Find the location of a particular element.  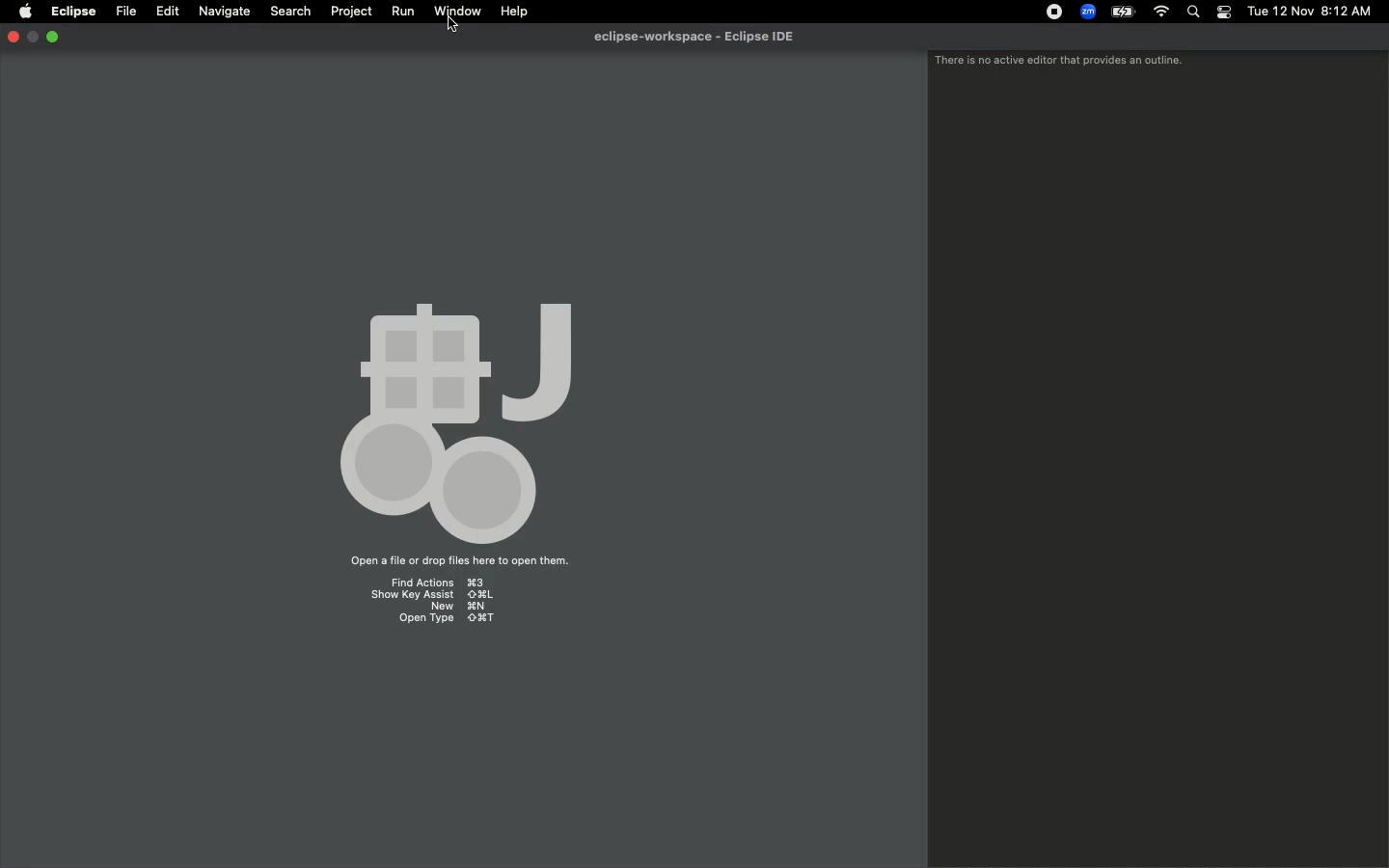

cursor is located at coordinates (452, 24).